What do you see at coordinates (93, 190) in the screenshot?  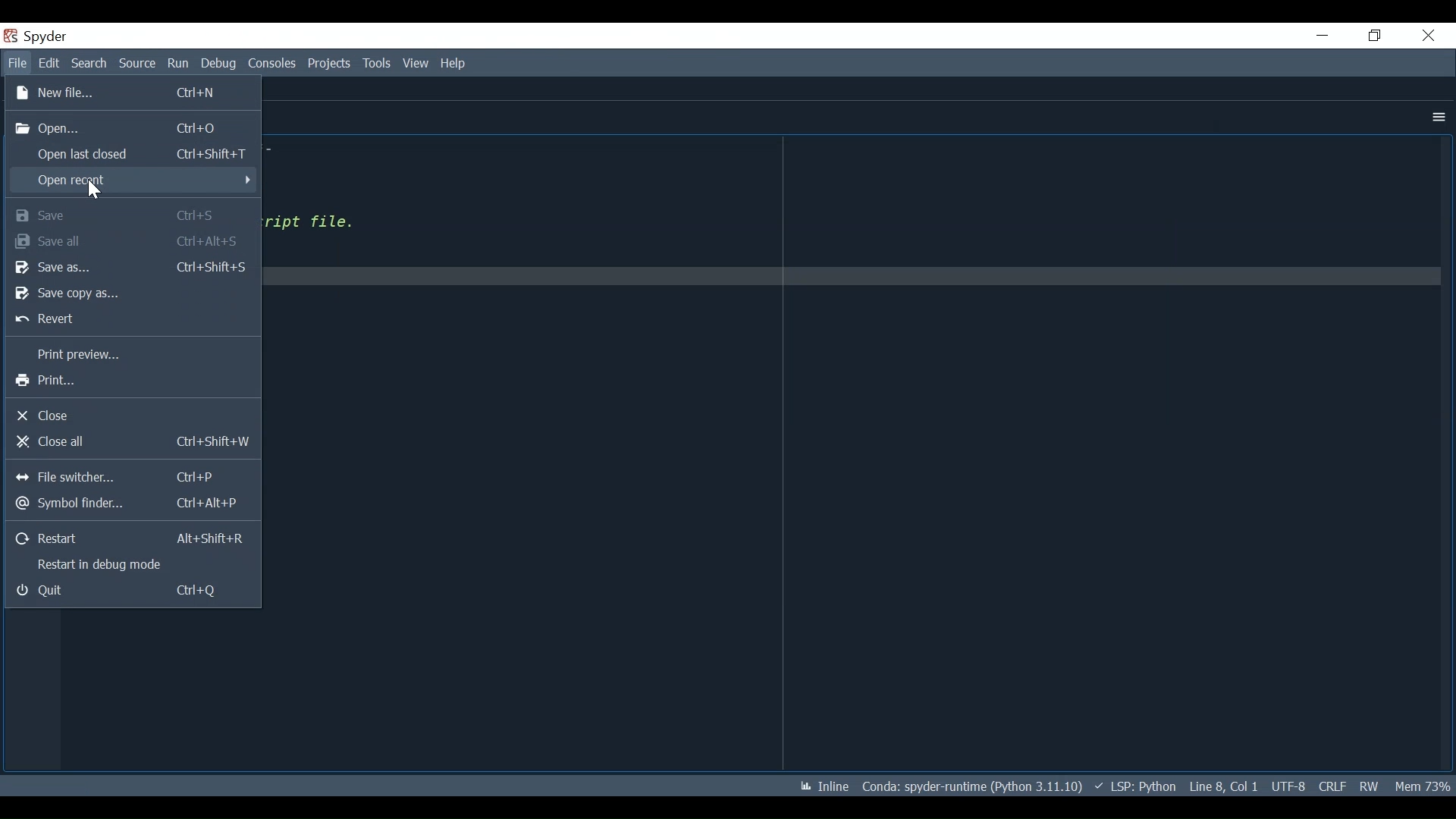 I see `Cursor` at bounding box center [93, 190].